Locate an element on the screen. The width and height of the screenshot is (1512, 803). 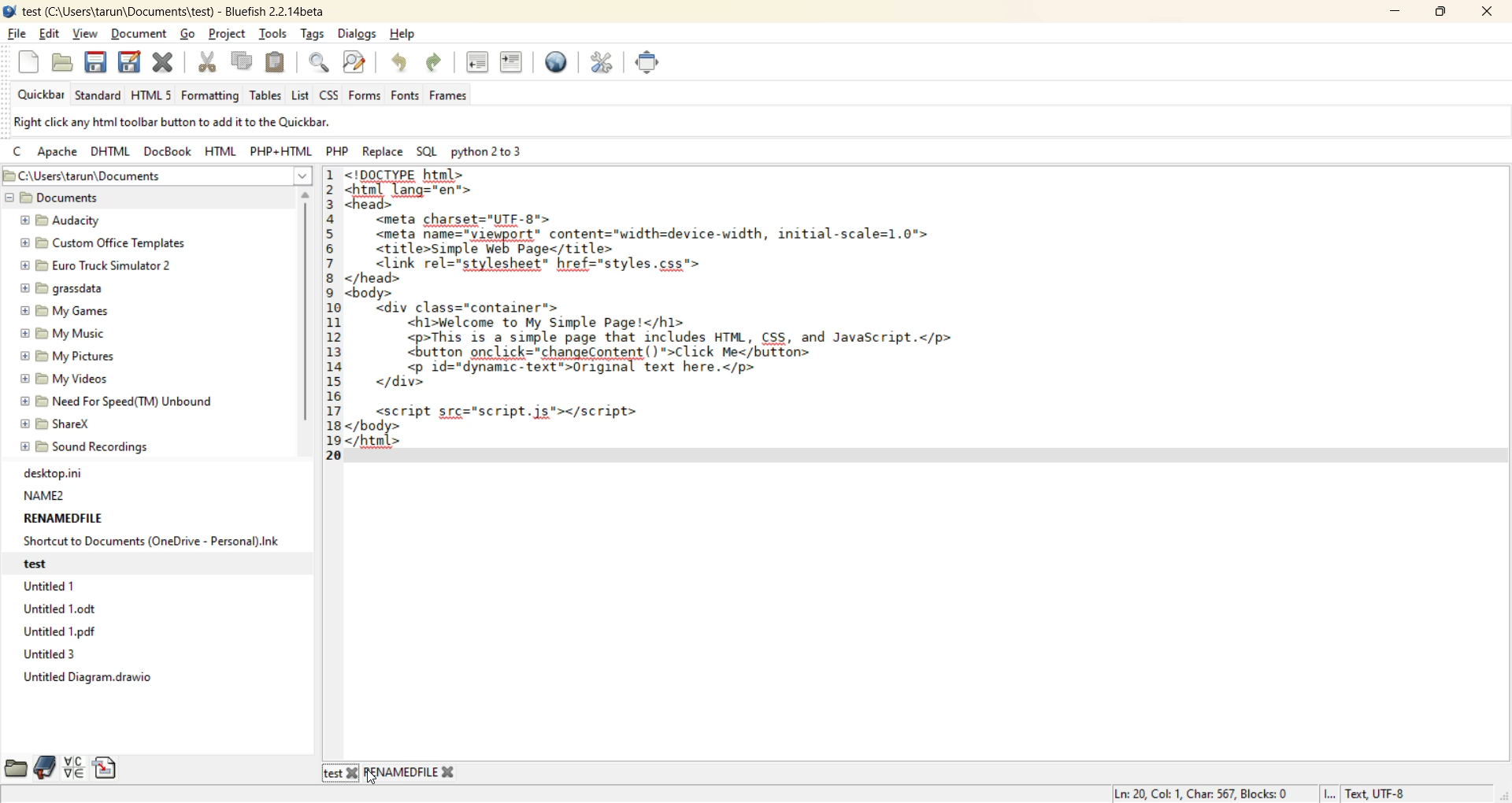
forms is located at coordinates (366, 96).